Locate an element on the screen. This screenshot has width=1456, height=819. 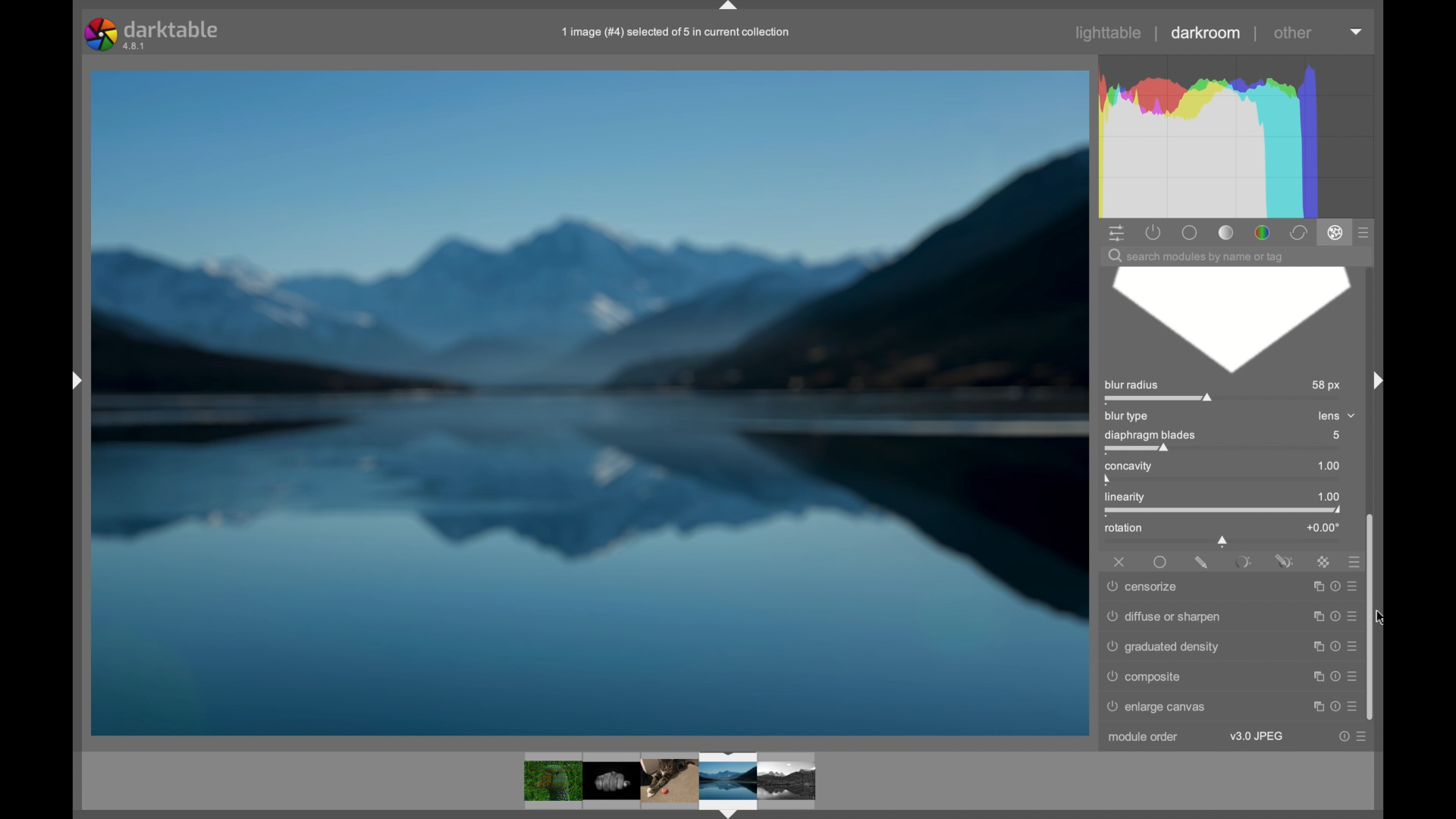
drawn and parametric mask is located at coordinates (1284, 560).